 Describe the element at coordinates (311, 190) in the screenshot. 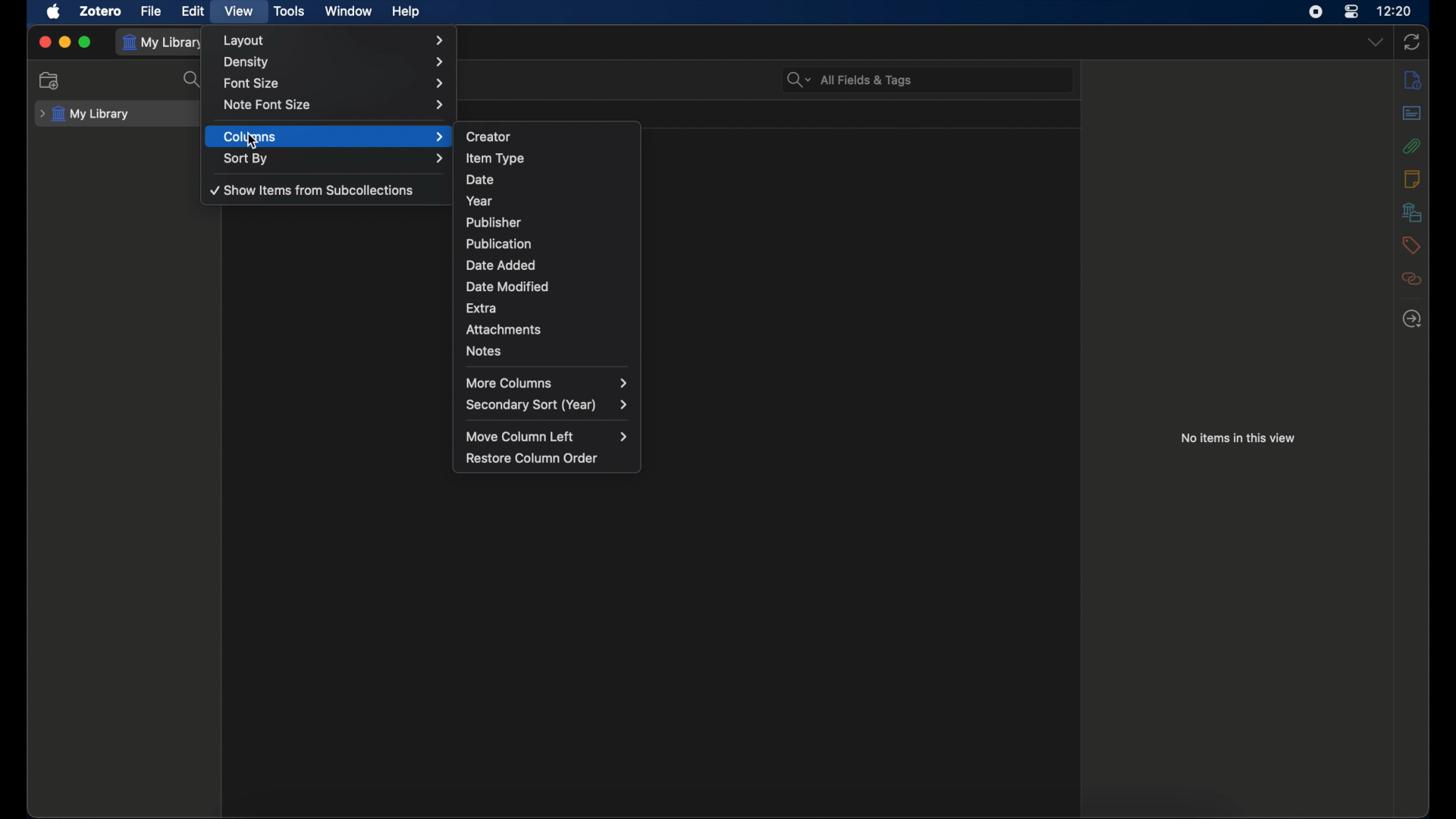

I see `show items from subcollections` at that location.